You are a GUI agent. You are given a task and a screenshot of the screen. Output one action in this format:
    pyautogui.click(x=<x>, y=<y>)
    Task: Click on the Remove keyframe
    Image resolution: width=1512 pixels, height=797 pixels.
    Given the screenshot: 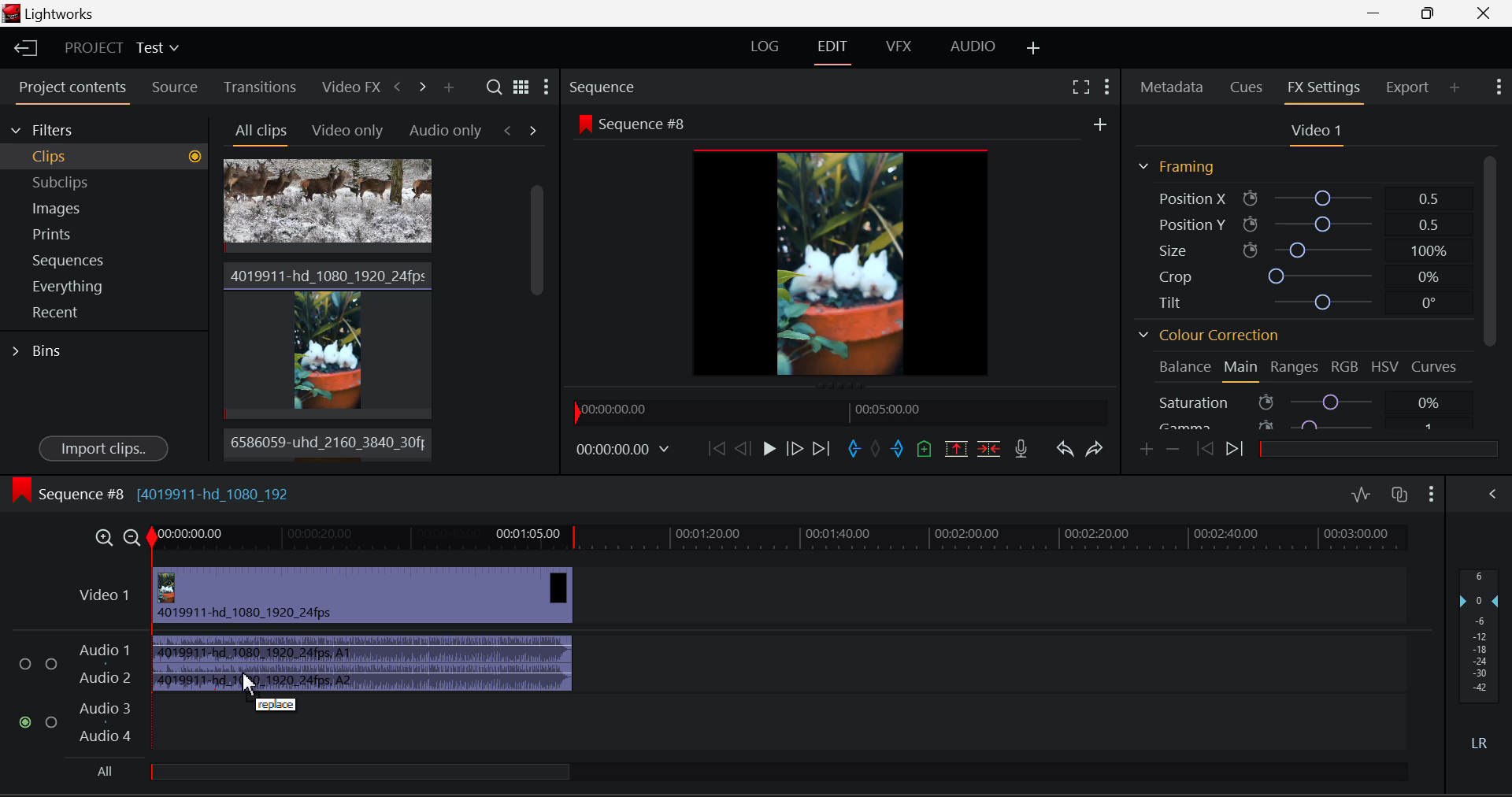 What is the action you would take?
    pyautogui.click(x=1173, y=450)
    